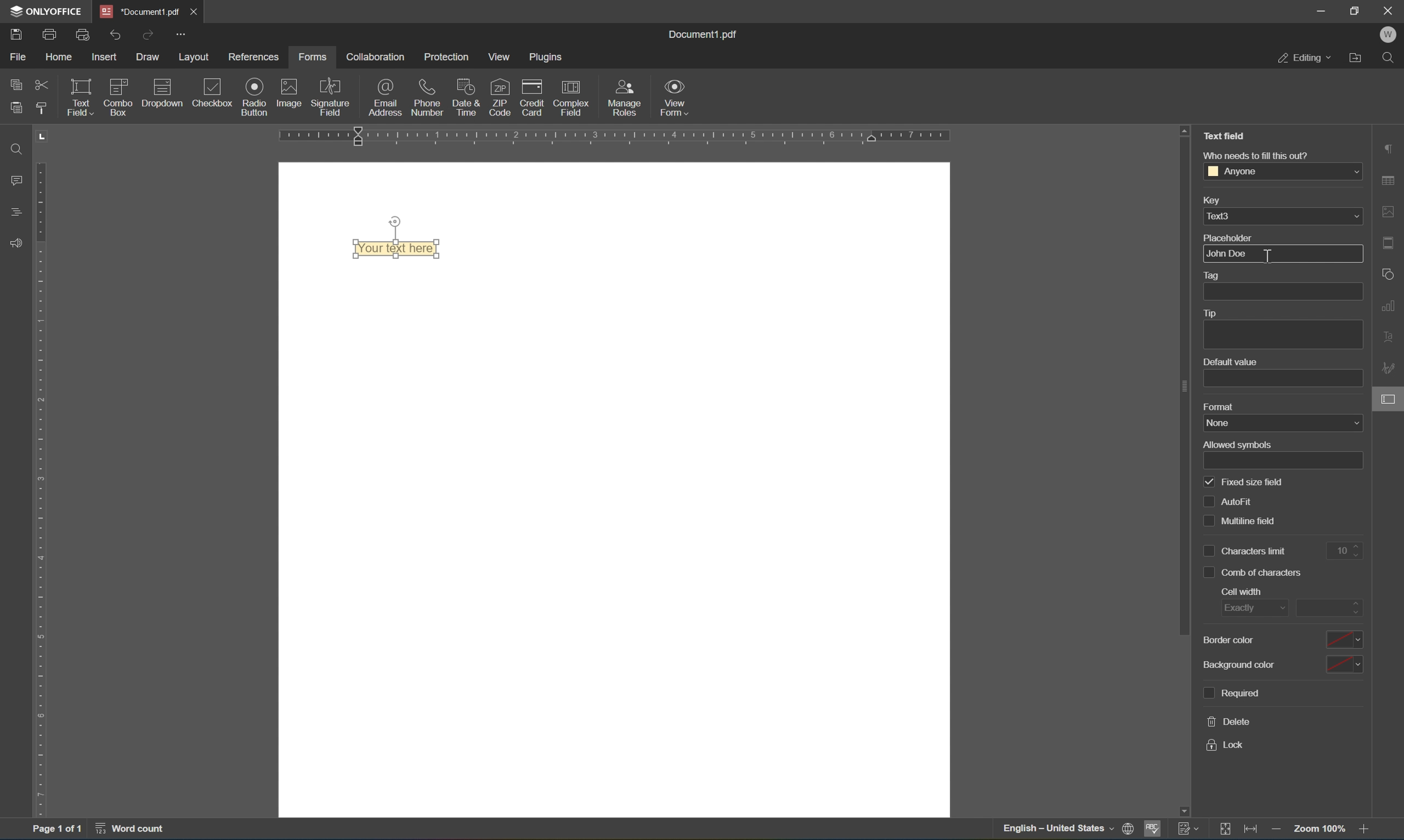 The width and height of the screenshot is (1404, 840). I want to click on background color, so click(1284, 663).